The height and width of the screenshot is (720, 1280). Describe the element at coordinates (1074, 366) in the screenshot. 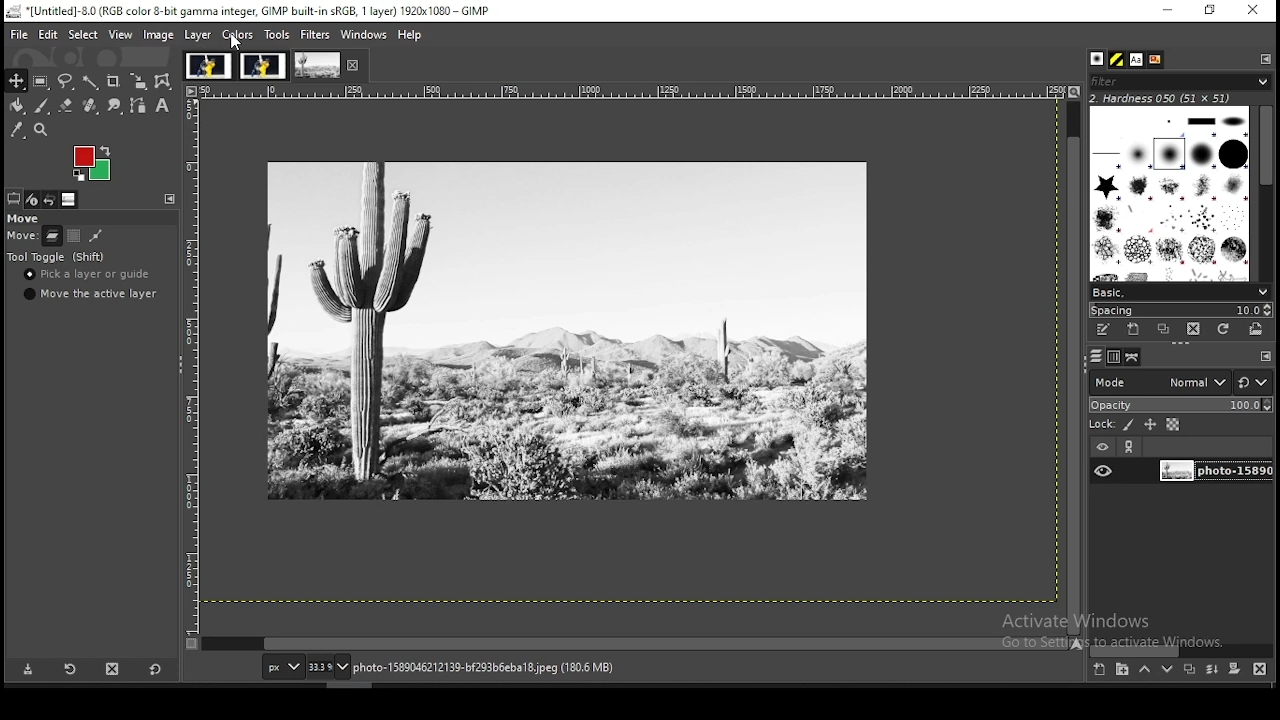

I see `scroll bar` at that location.